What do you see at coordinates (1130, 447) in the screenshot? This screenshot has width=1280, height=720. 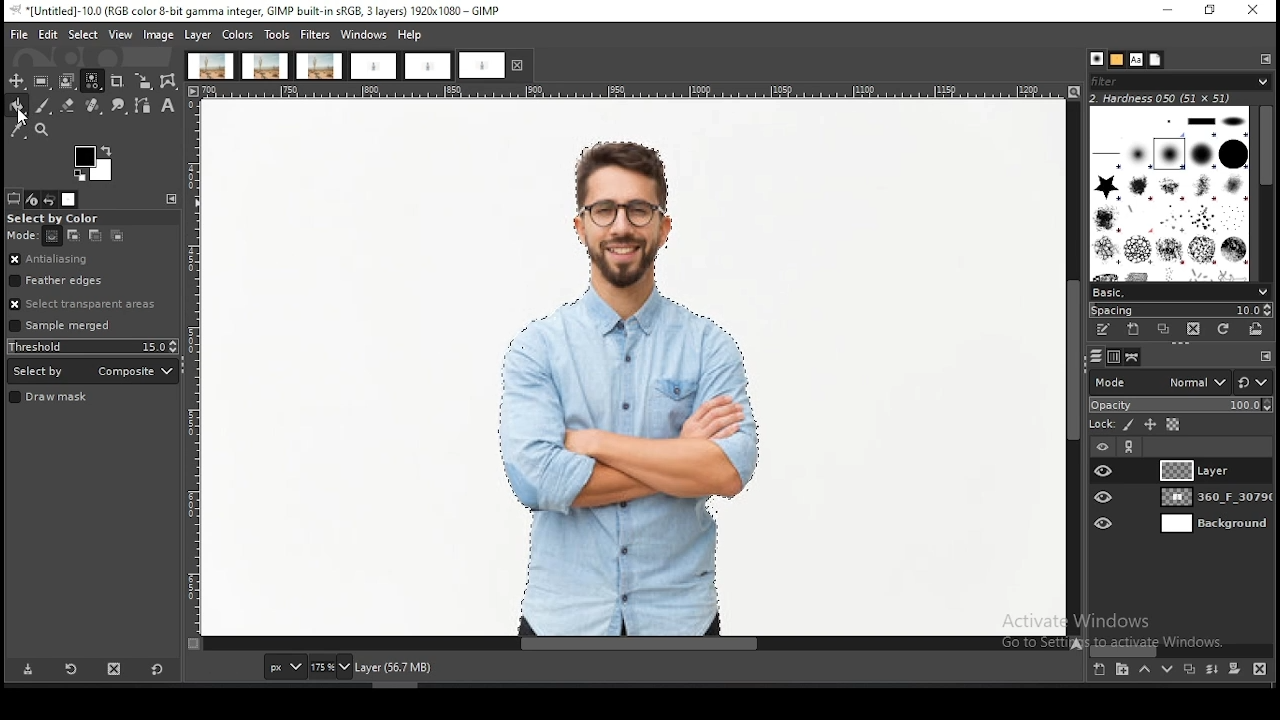 I see `link` at bounding box center [1130, 447].